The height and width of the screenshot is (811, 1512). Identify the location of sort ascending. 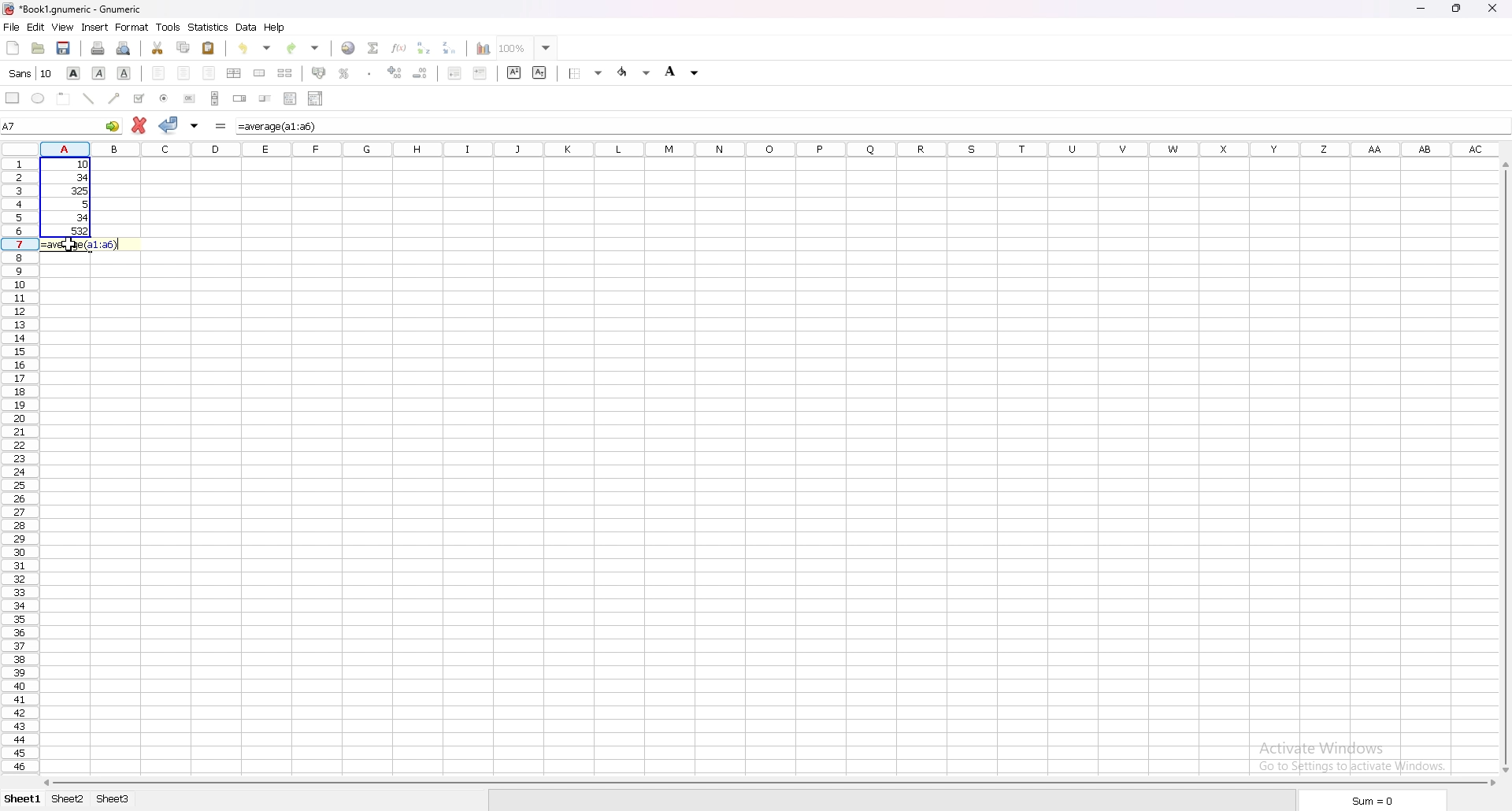
(424, 47).